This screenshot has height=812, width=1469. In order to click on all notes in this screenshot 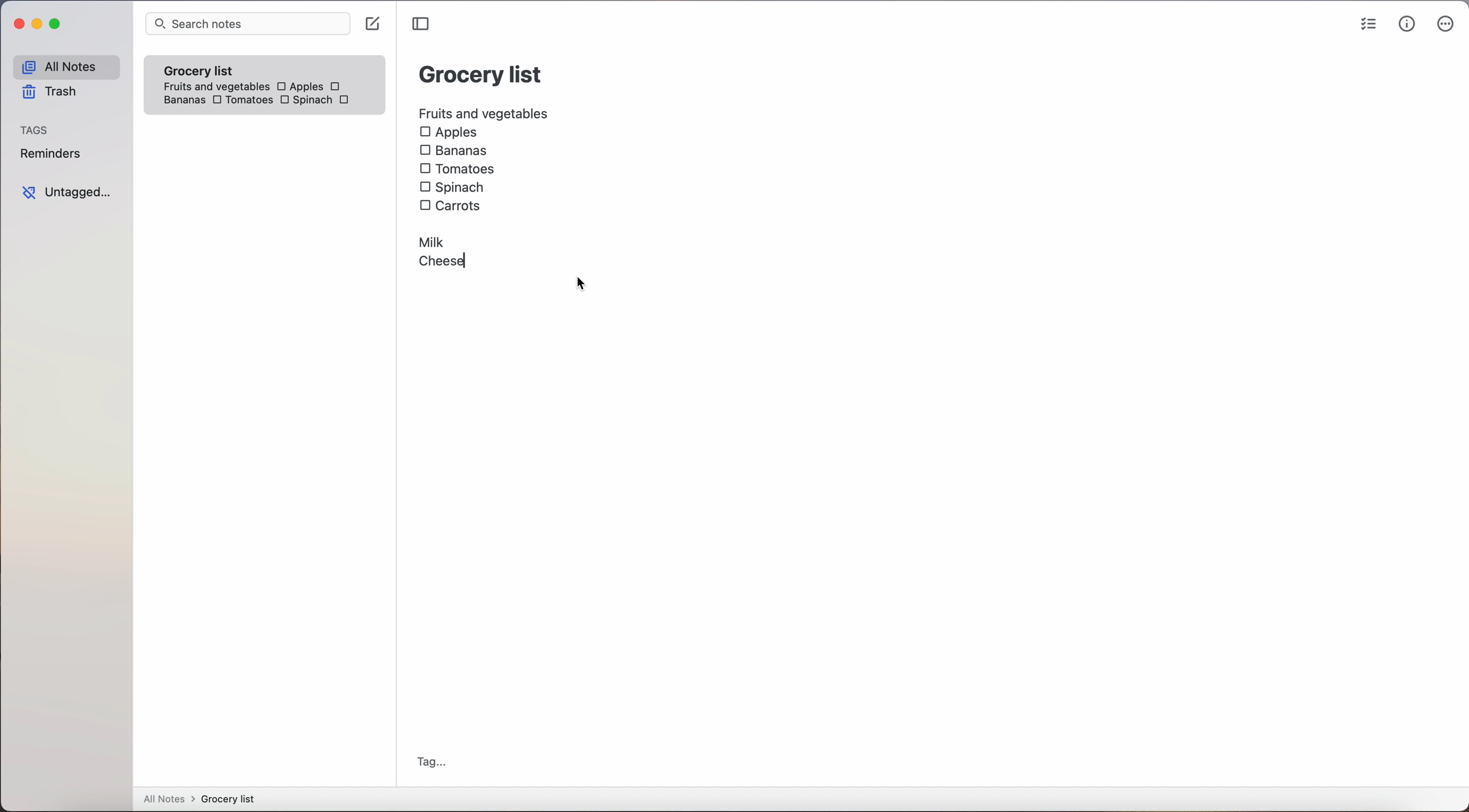, I will do `click(198, 799)`.